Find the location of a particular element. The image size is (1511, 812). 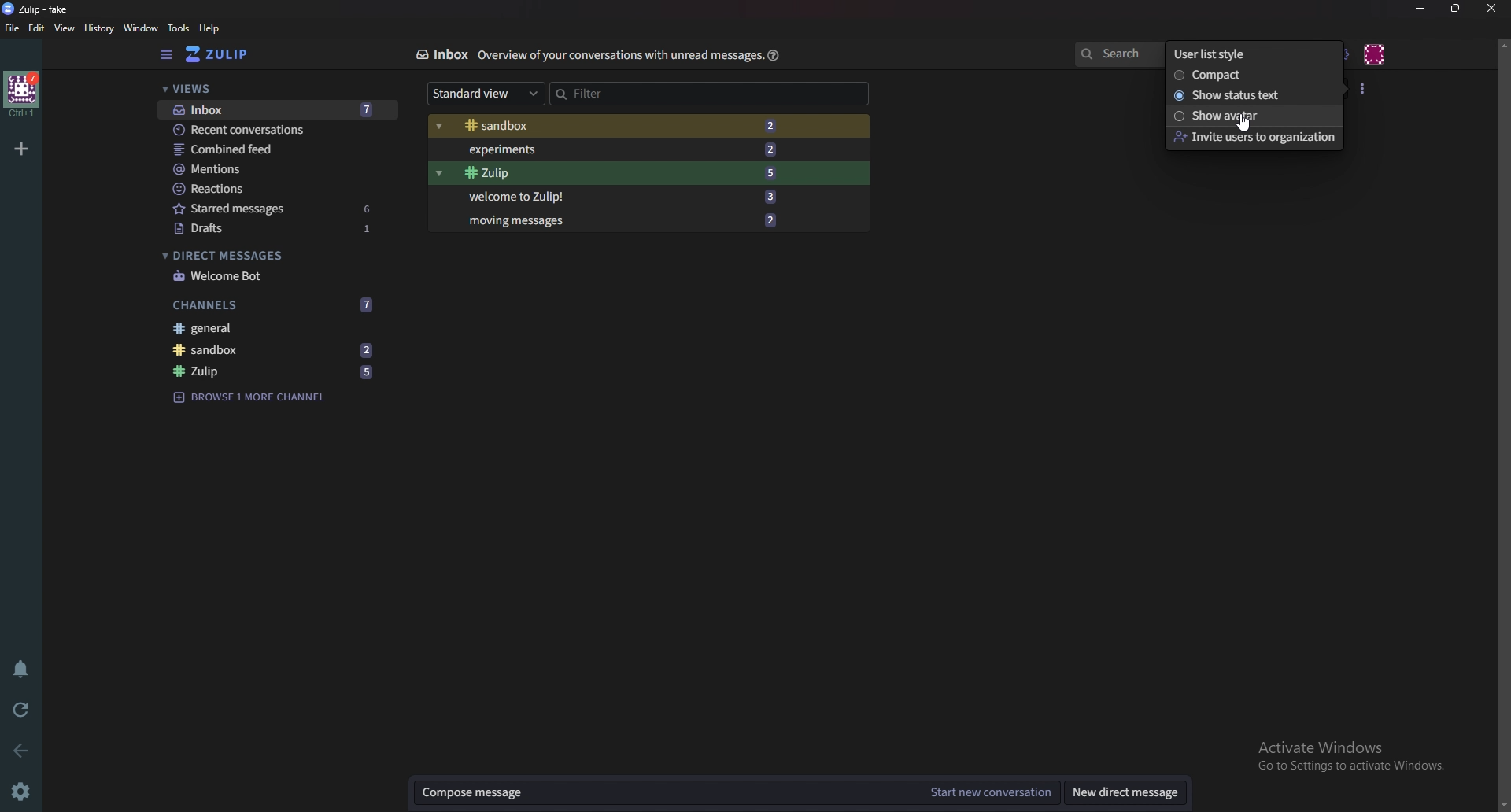

Compact is located at coordinates (1251, 75).